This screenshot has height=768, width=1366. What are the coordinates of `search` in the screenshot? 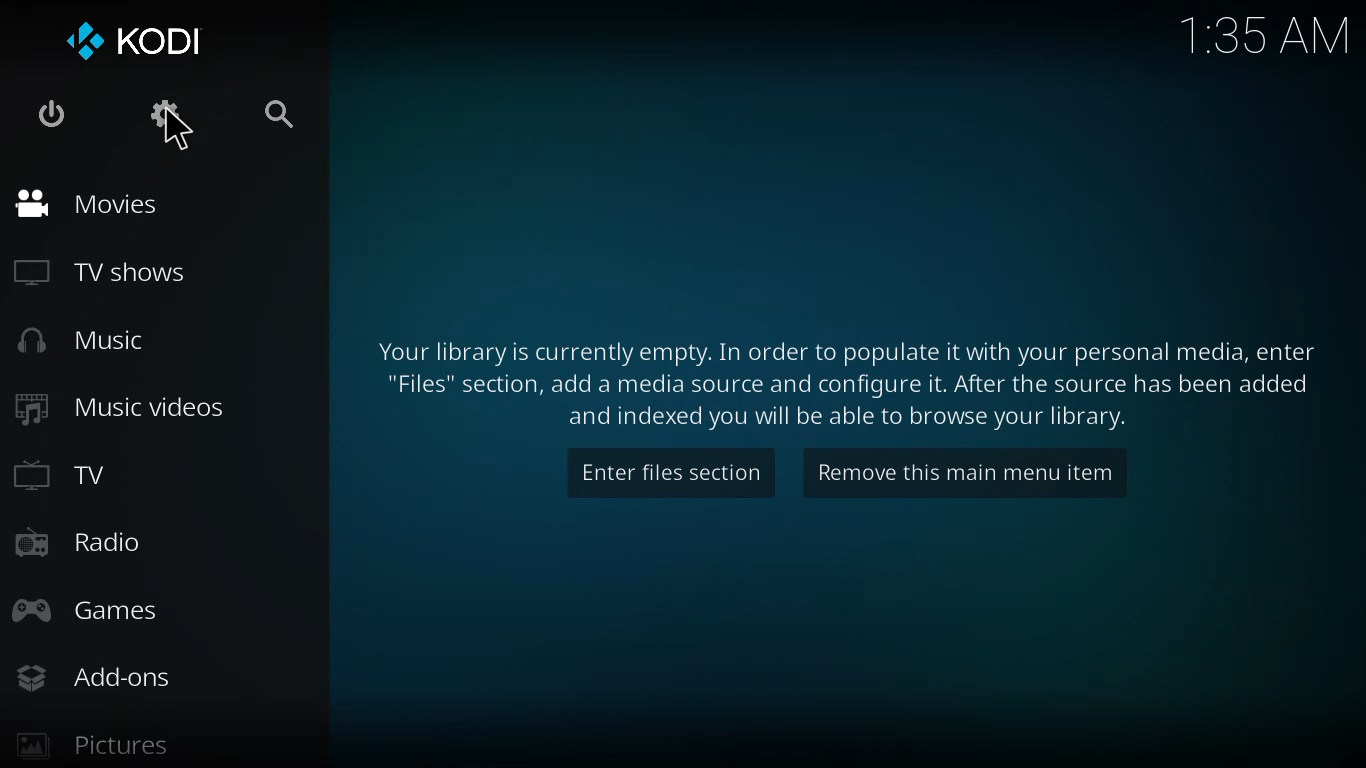 It's located at (274, 113).